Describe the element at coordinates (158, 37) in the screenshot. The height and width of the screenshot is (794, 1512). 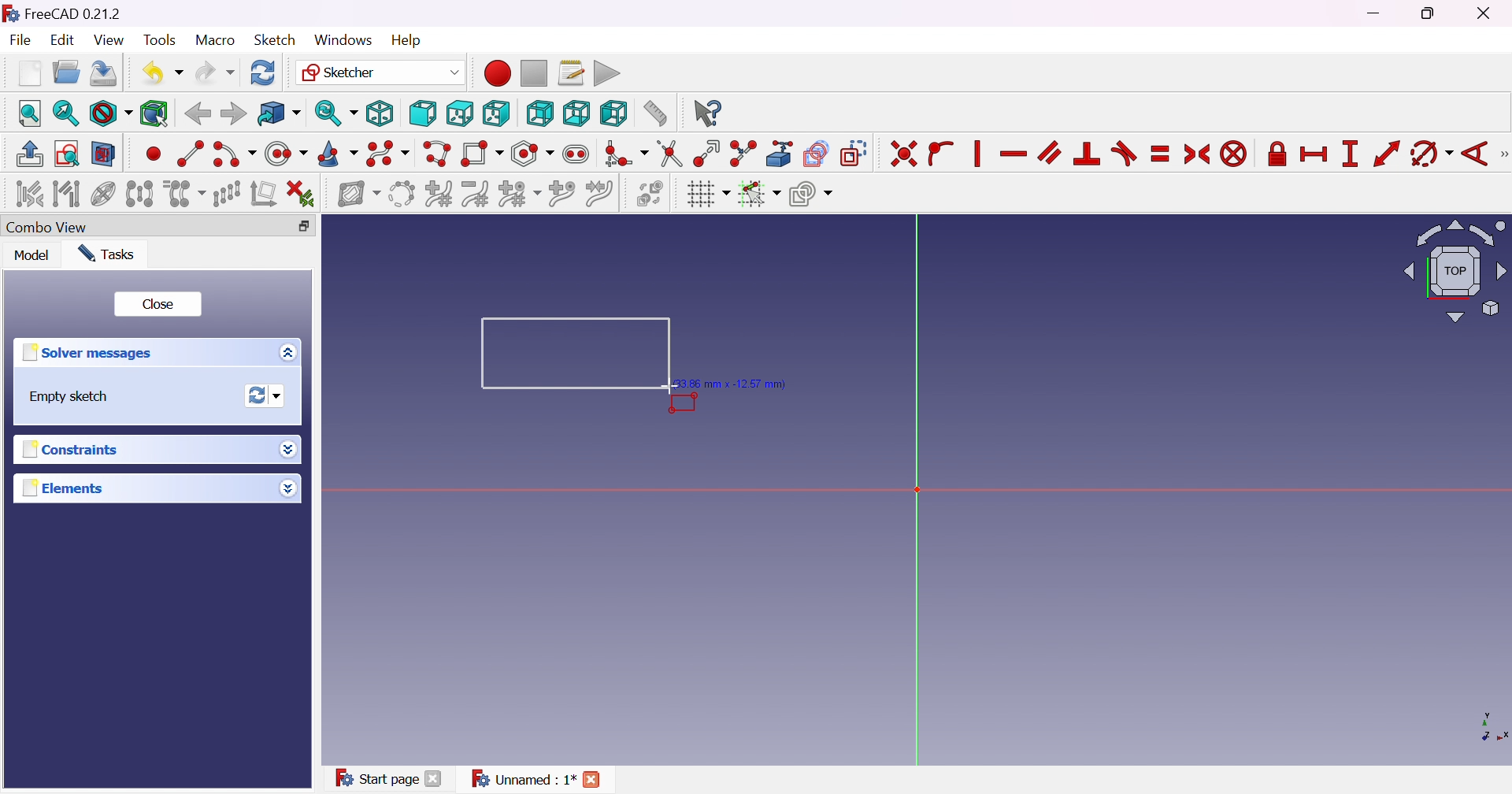
I see `Tools` at that location.